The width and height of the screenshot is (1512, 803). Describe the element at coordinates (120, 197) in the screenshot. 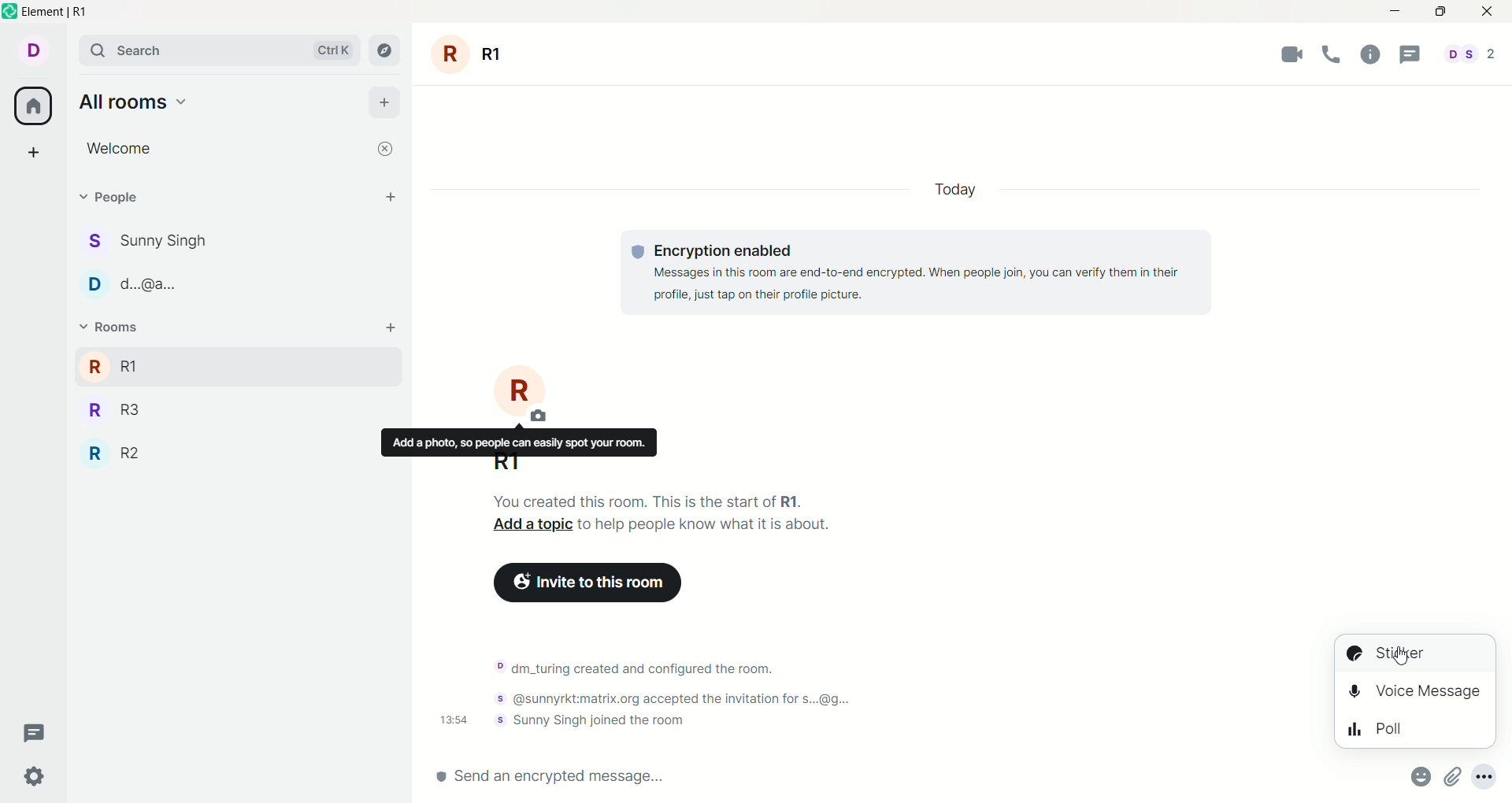

I see `People` at that location.